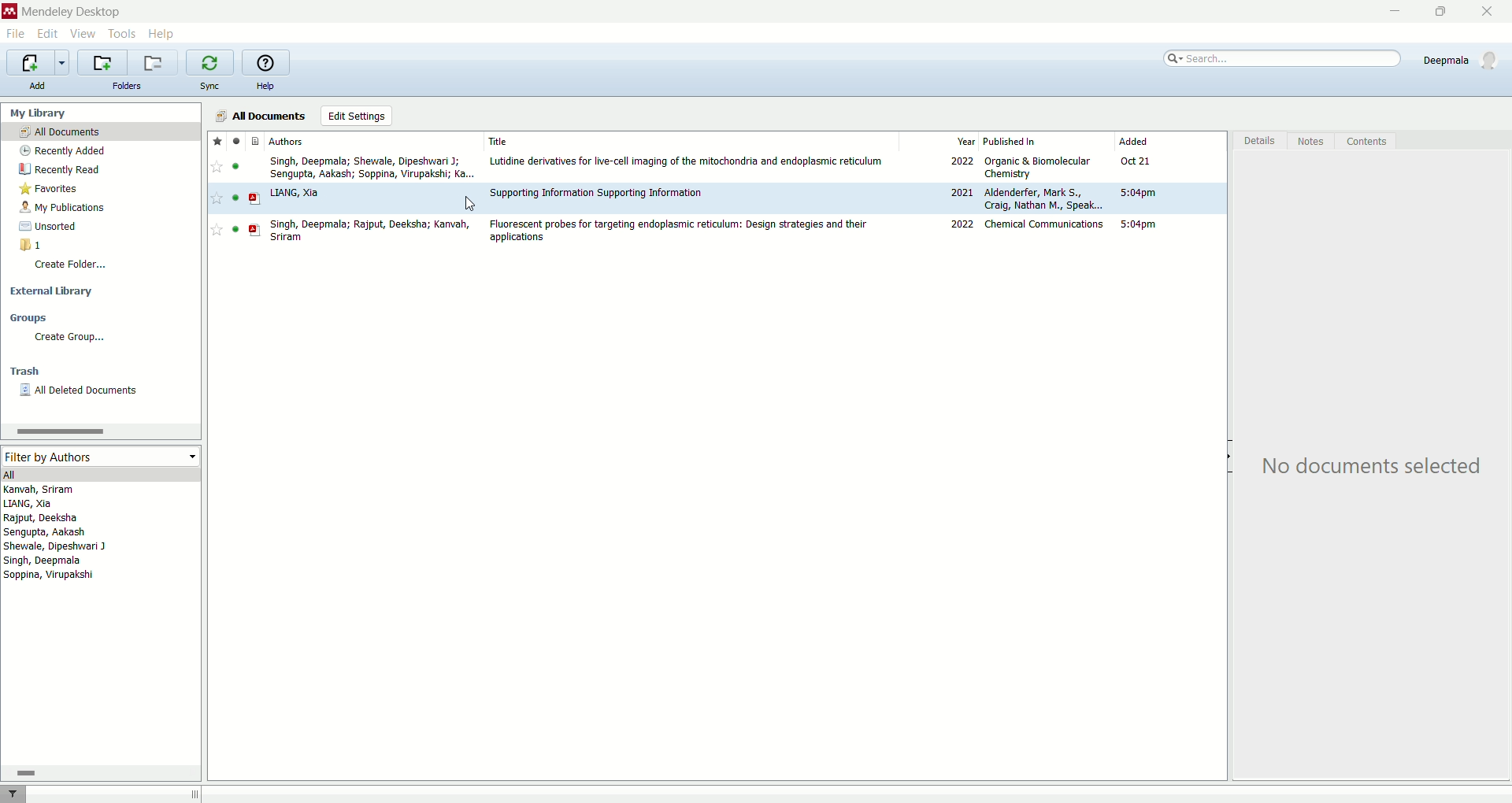 This screenshot has height=803, width=1512. I want to click on 5:04pm, so click(1138, 193).